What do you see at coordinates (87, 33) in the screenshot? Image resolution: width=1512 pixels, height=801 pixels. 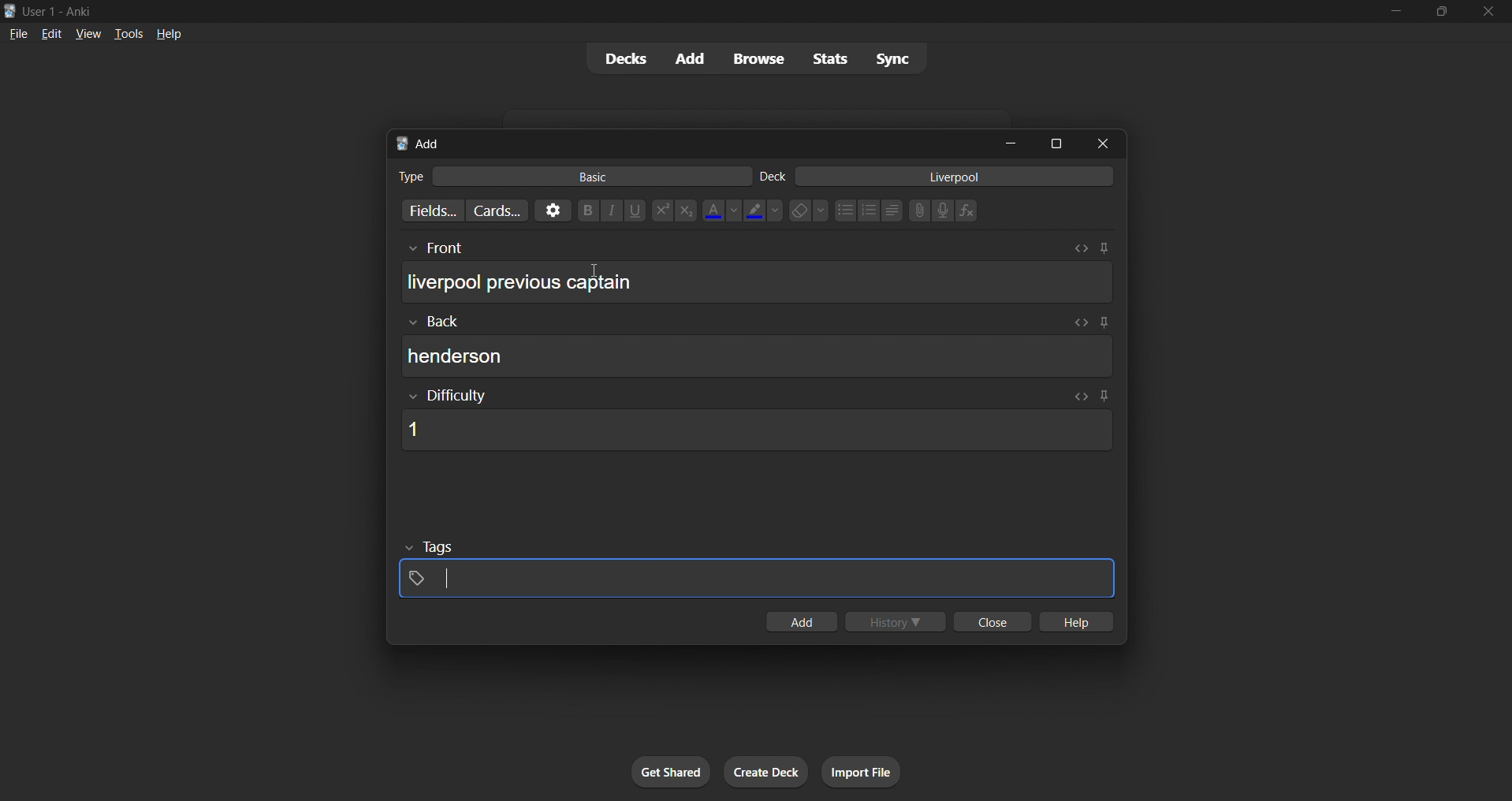 I see `view` at bounding box center [87, 33].